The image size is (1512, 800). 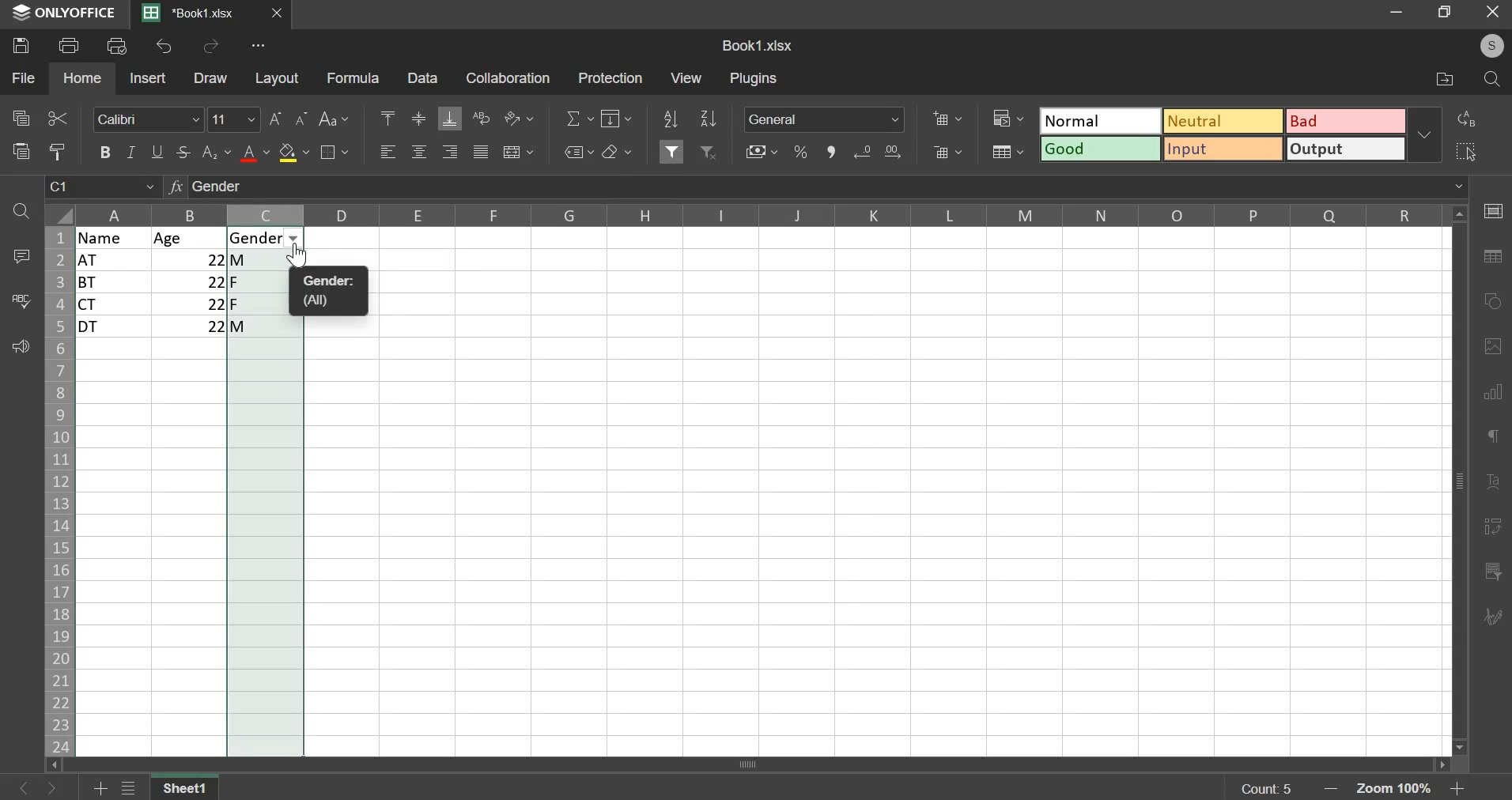 What do you see at coordinates (1490, 349) in the screenshot?
I see `image or video` at bounding box center [1490, 349].